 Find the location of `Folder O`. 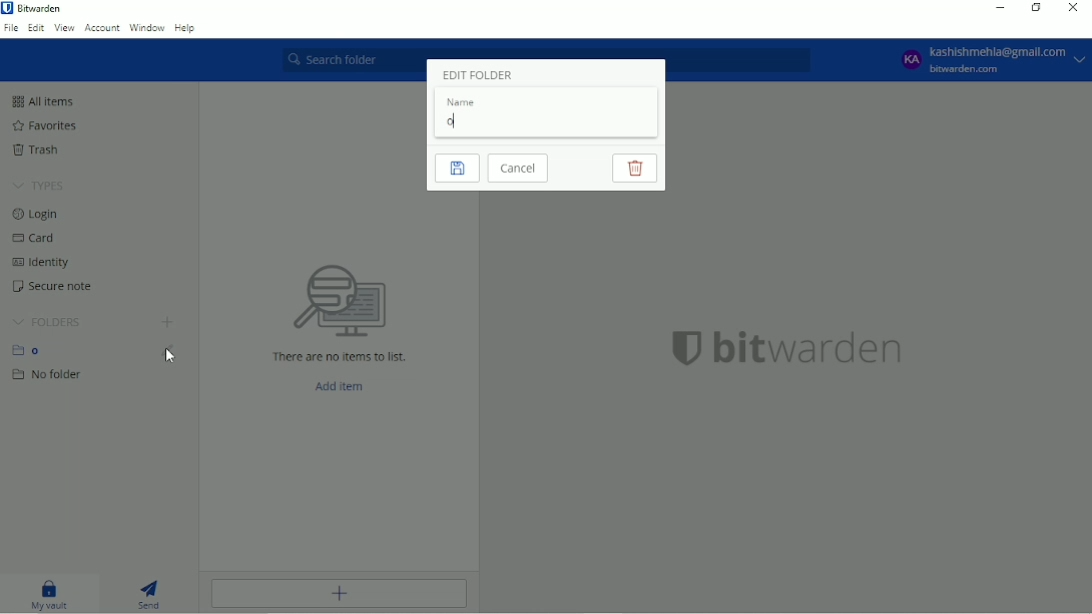

Folder O is located at coordinates (31, 350).